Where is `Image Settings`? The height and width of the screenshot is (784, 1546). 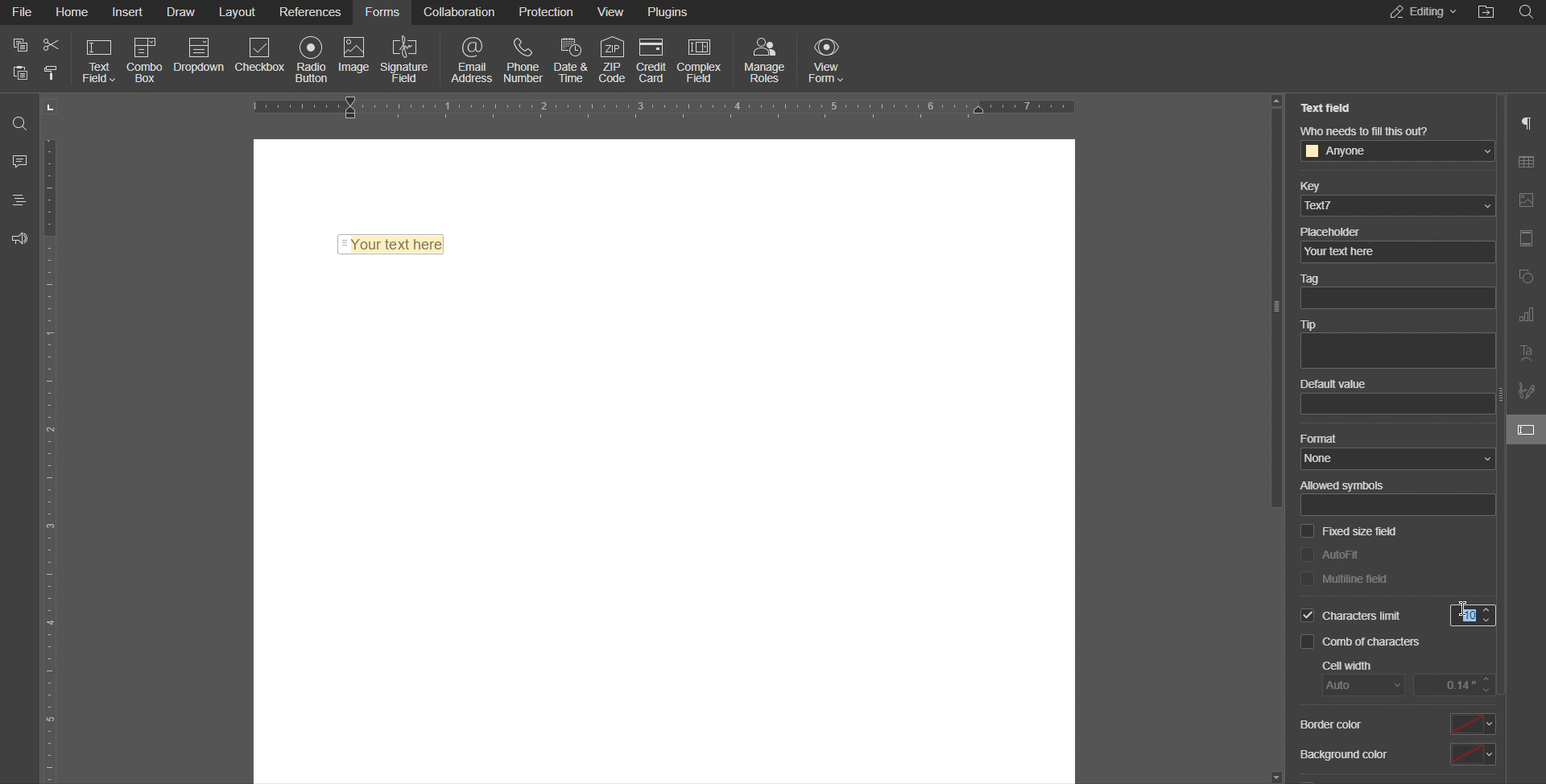
Image Settings is located at coordinates (1525, 201).